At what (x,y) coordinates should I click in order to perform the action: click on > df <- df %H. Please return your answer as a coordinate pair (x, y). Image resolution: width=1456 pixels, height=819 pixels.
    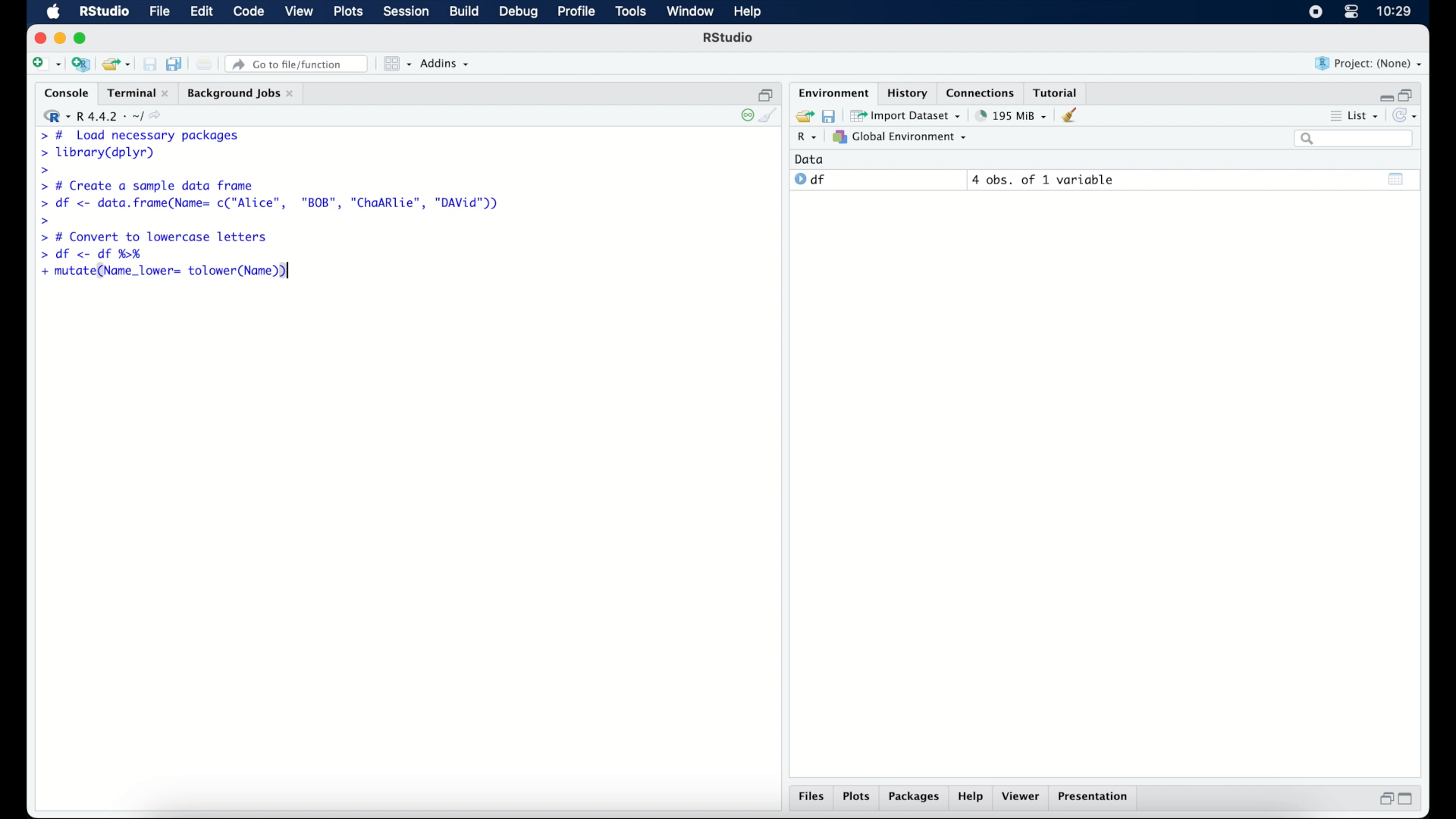
    Looking at the image, I should click on (96, 256).